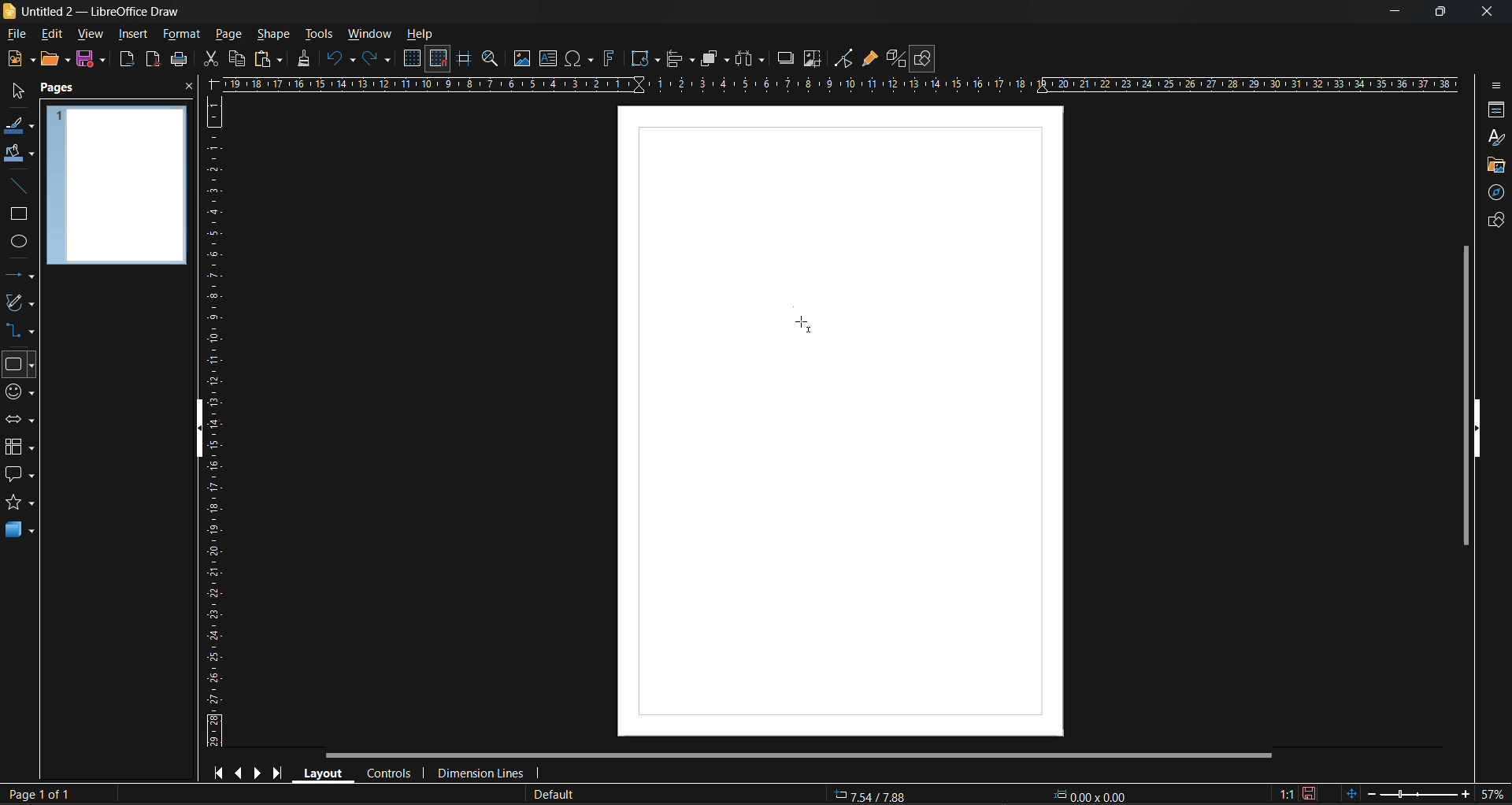  What do you see at coordinates (128, 61) in the screenshot?
I see `export` at bounding box center [128, 61].